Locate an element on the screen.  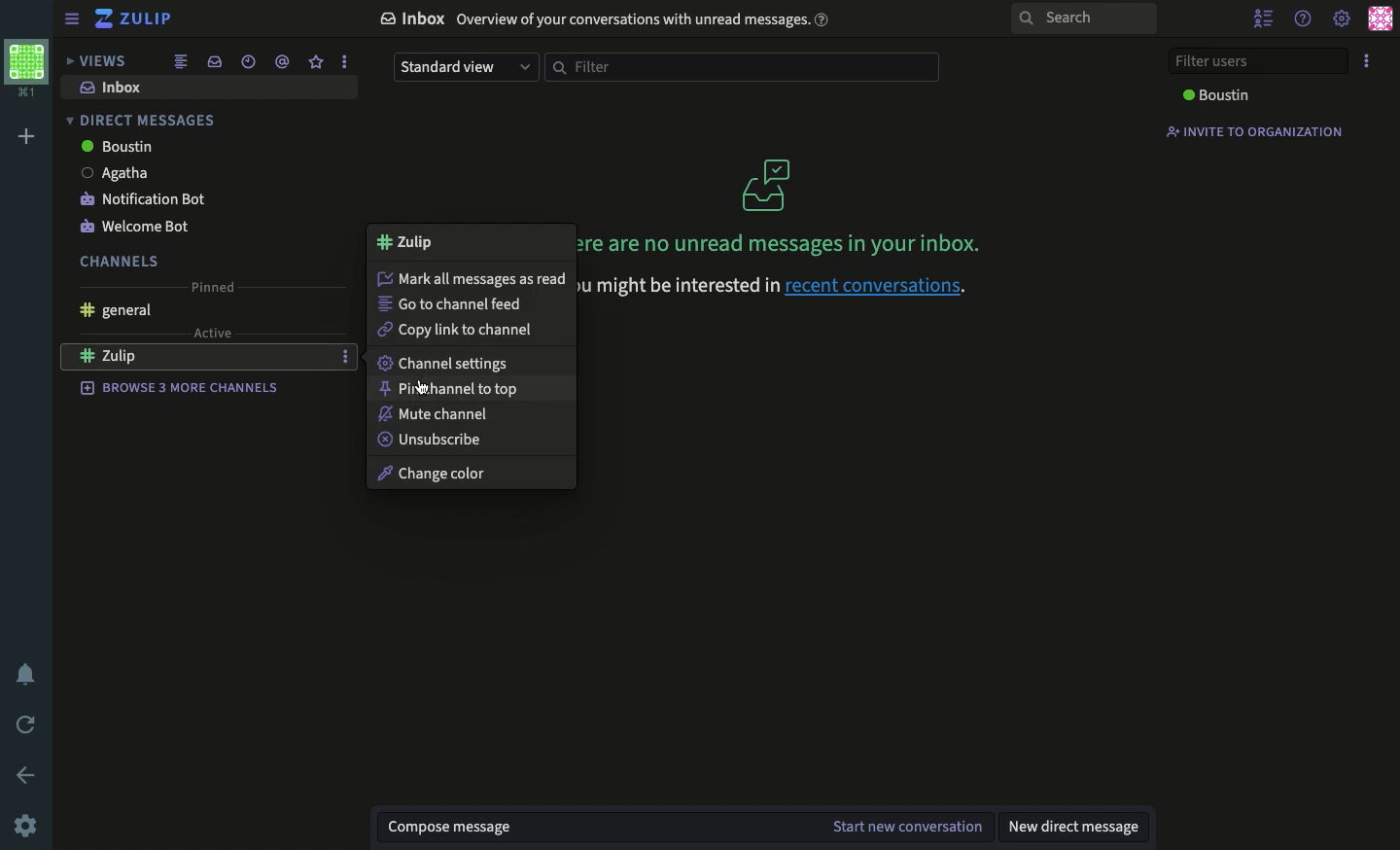
inbox is located at coordinates (216, 61).